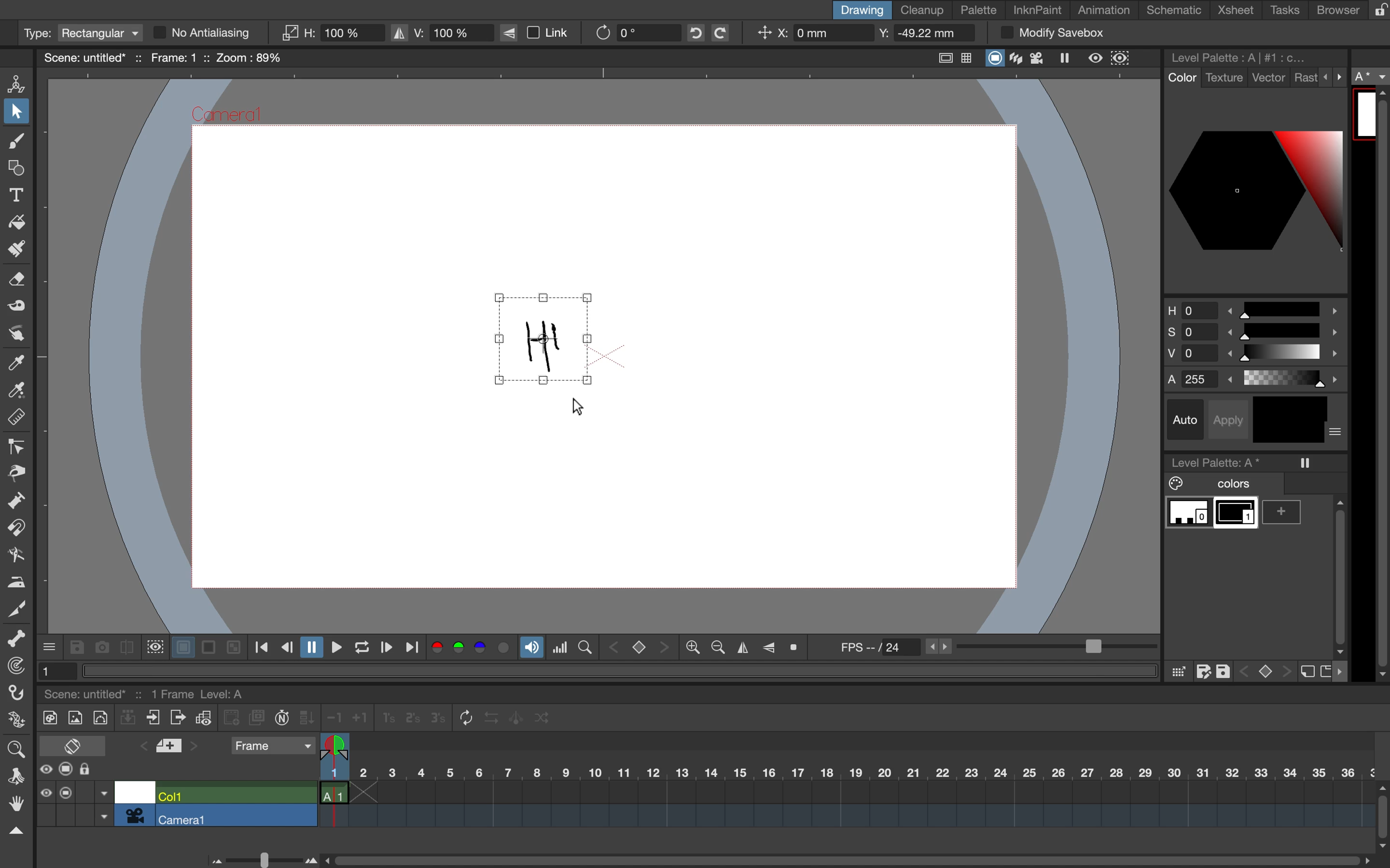  What do you see at coordinates (126, 650) in the screenshot?
I see `compare to snapshot` at bounding box center [126, 650].